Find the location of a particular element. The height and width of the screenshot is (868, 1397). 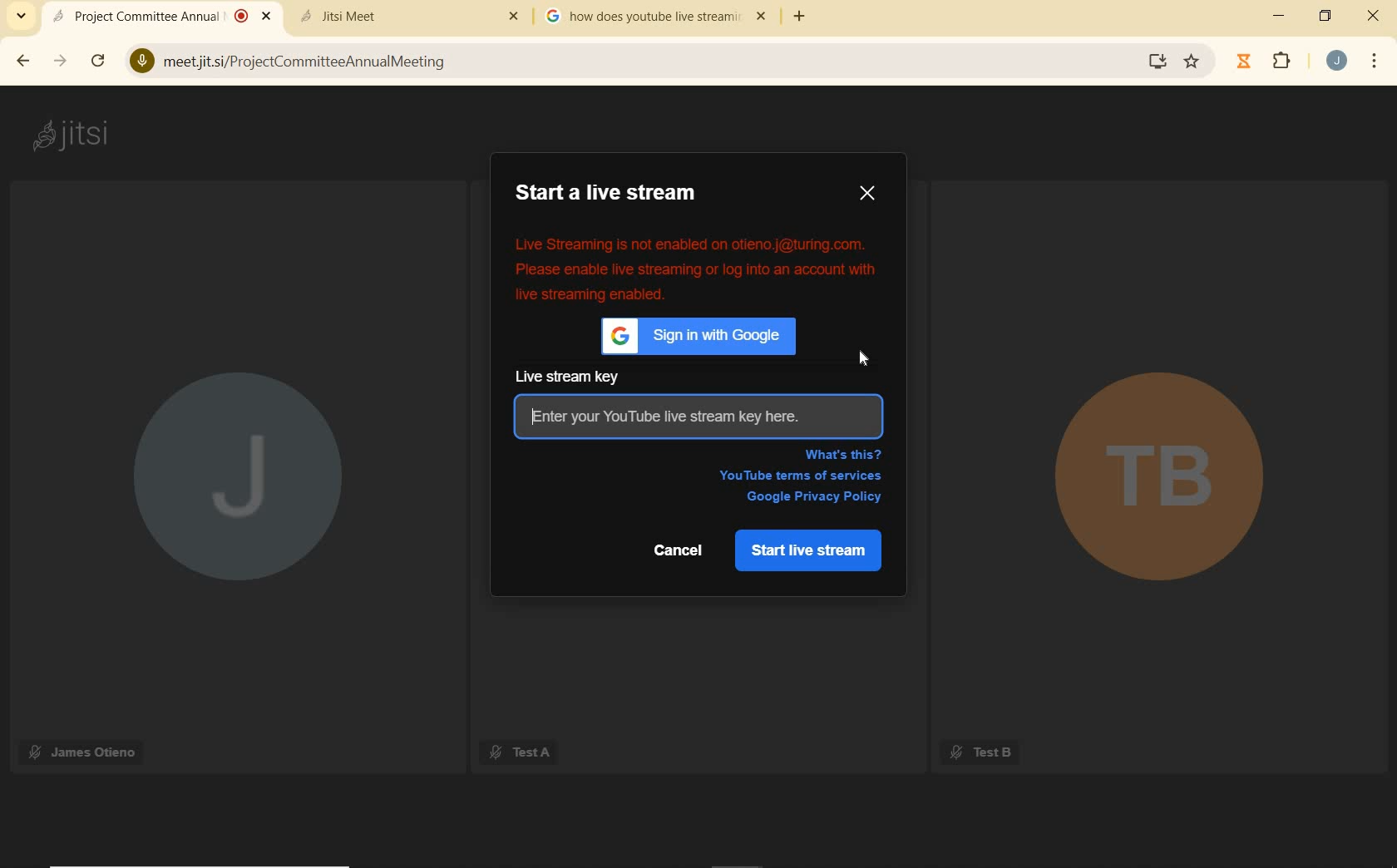

J is located at coordinates (256, 476).